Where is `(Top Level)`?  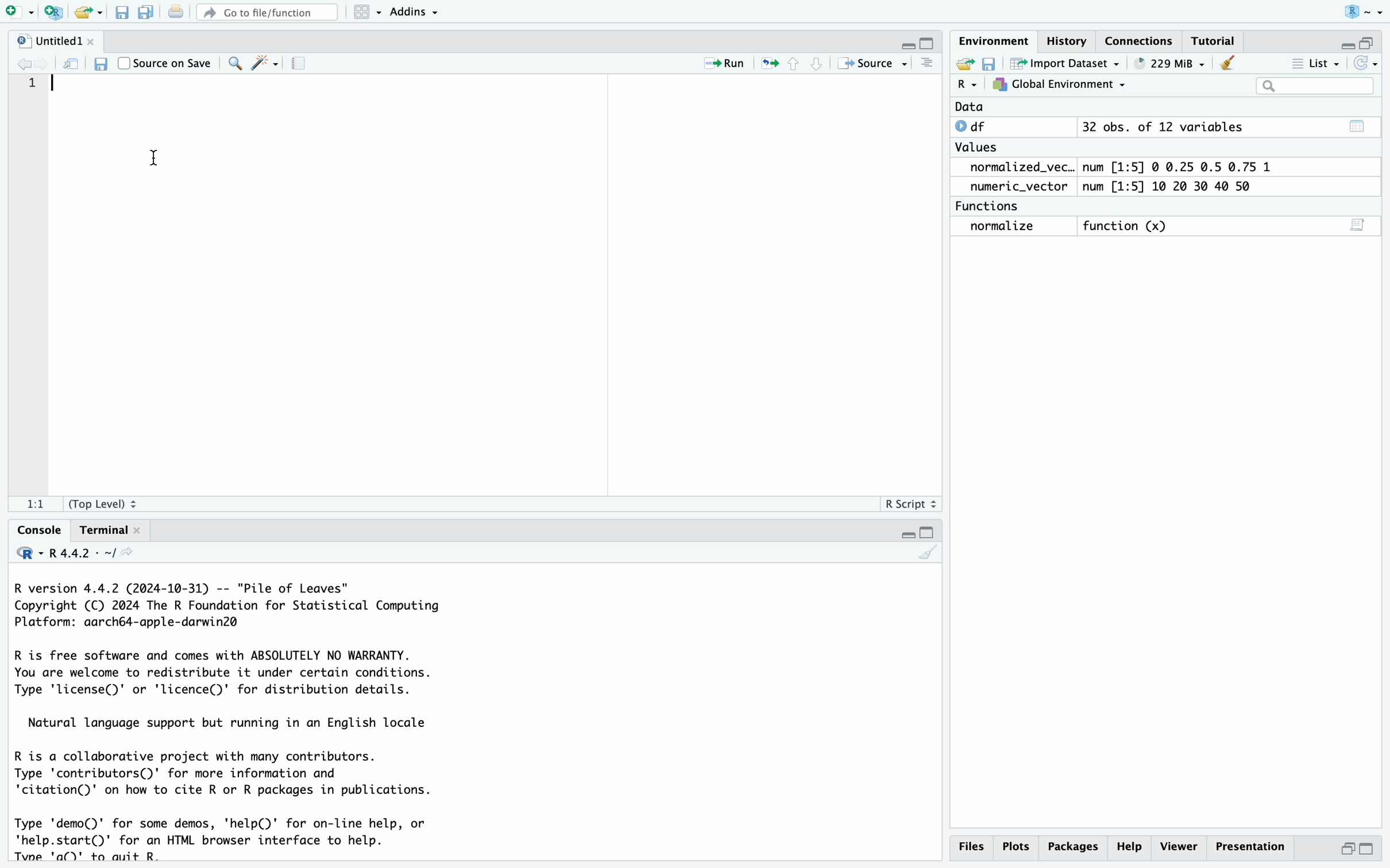
(Top Level) is located at coordinates (101, 506).